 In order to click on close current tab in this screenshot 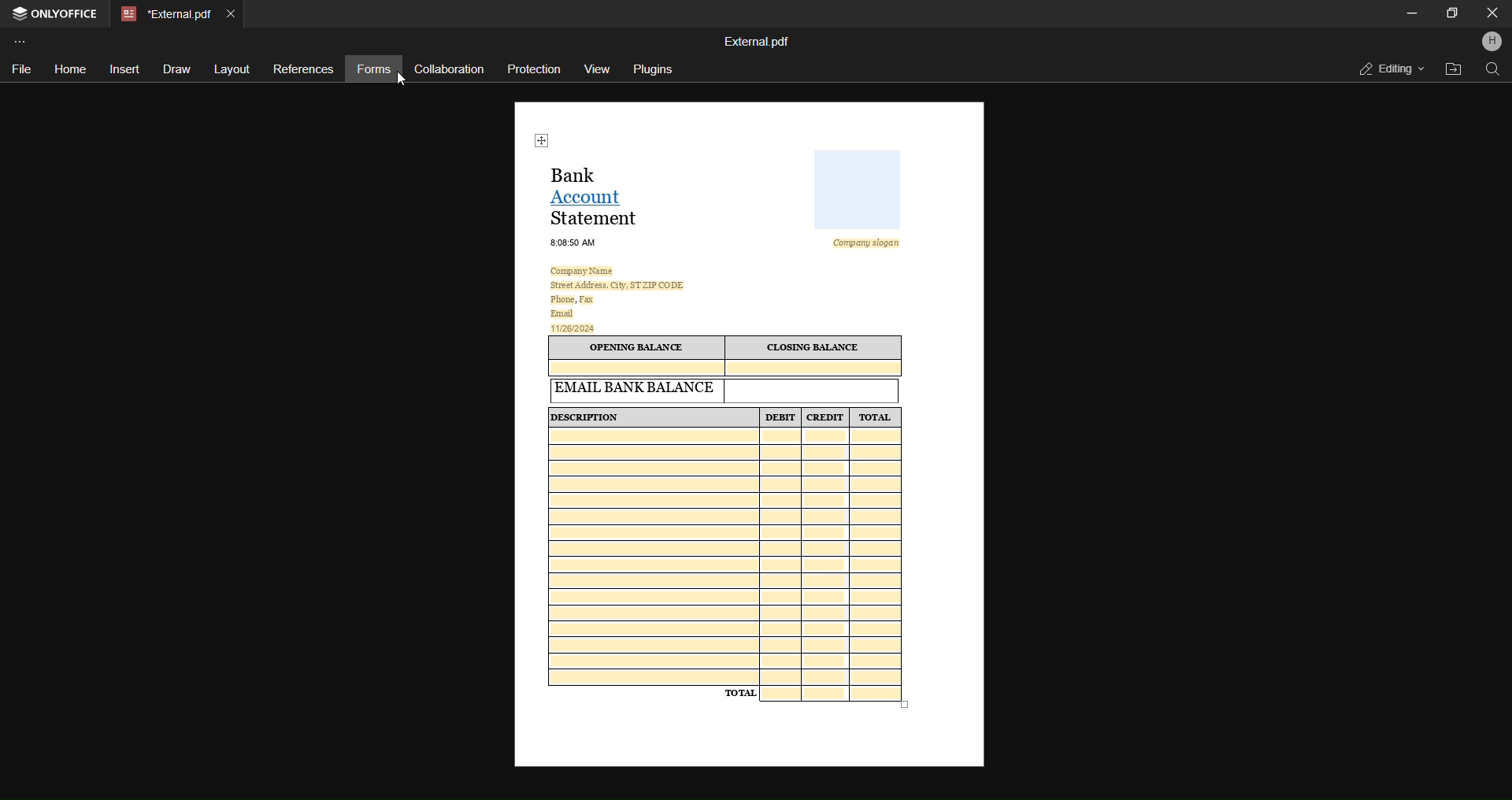, I will do `click(230, 12)`.